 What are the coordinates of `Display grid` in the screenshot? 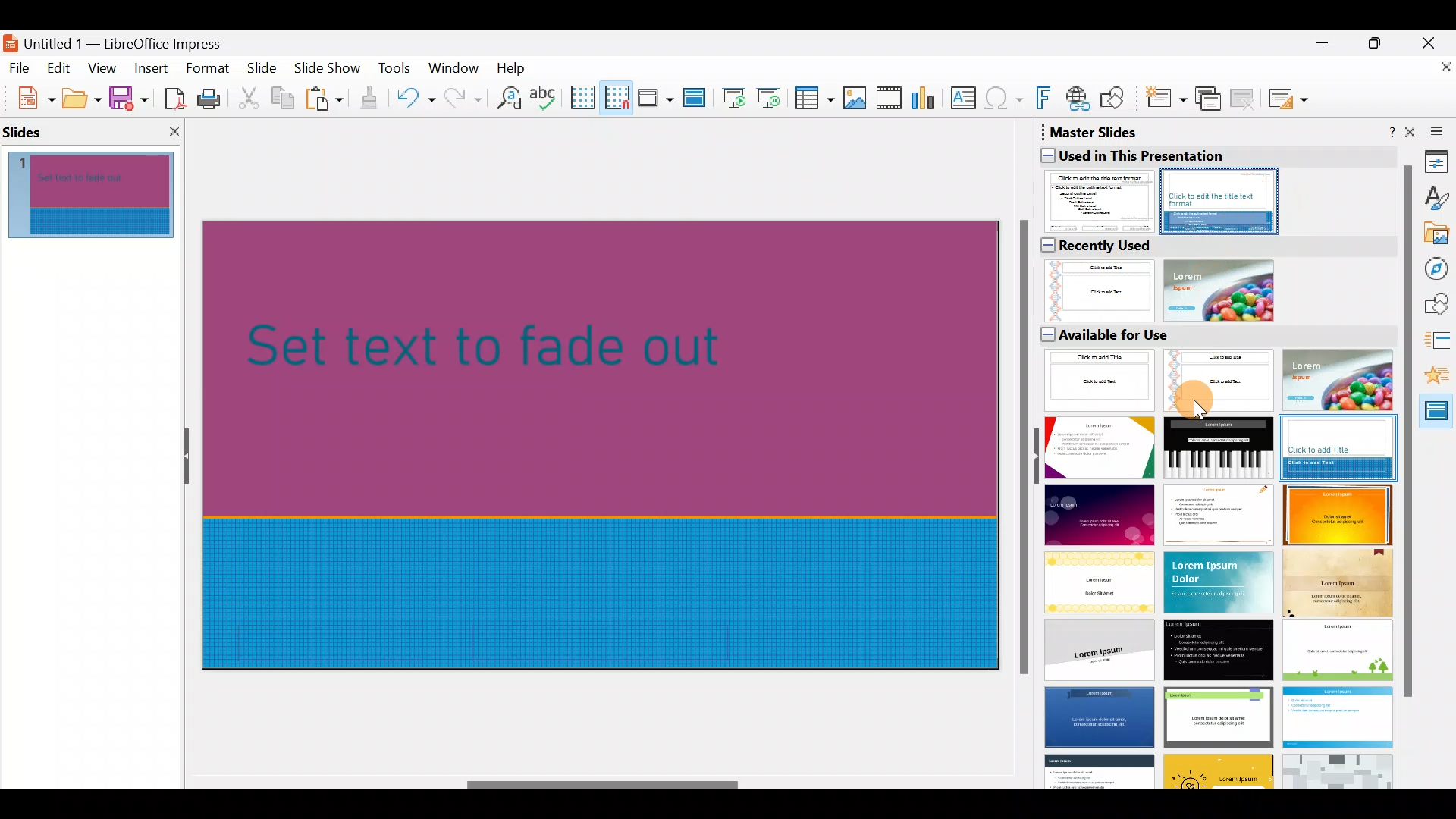 It's located at (582, 96).